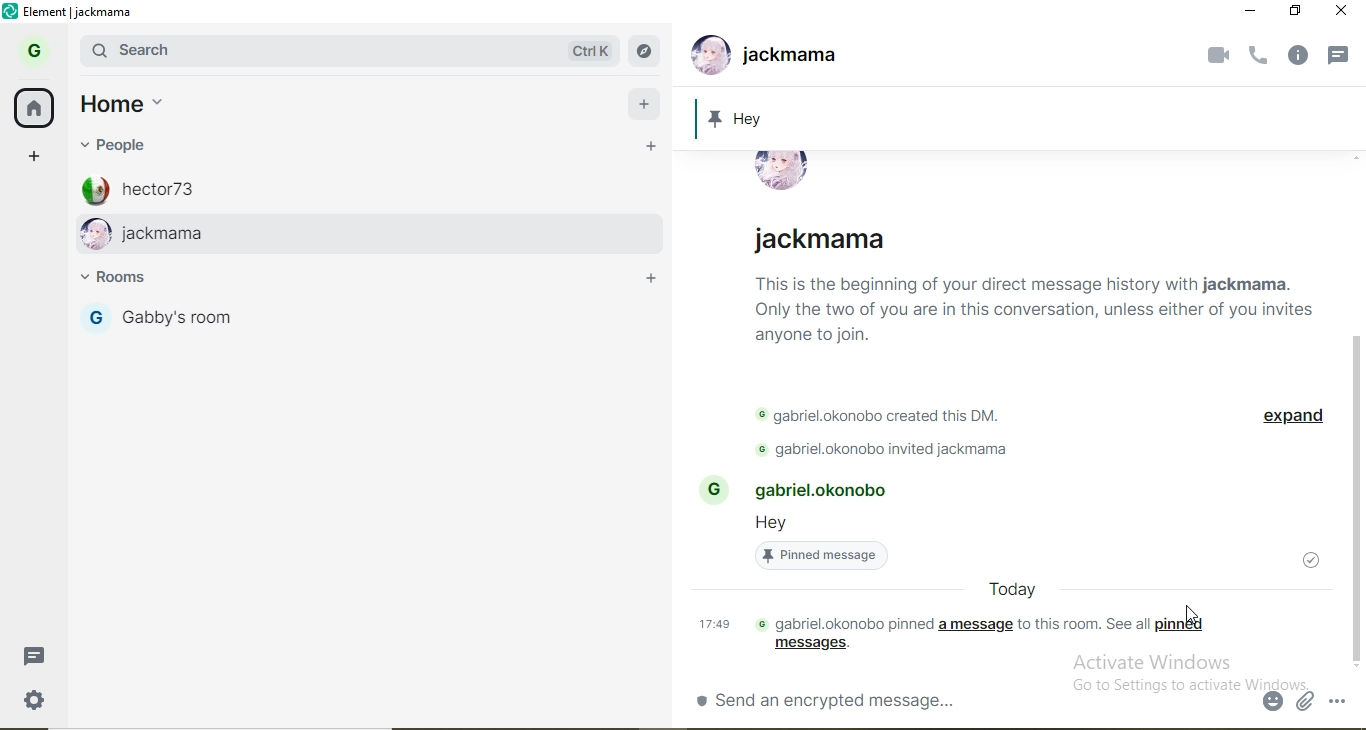 The height and width of the screenshot is (730, 1366). I want to click on message, so click(33, 657).